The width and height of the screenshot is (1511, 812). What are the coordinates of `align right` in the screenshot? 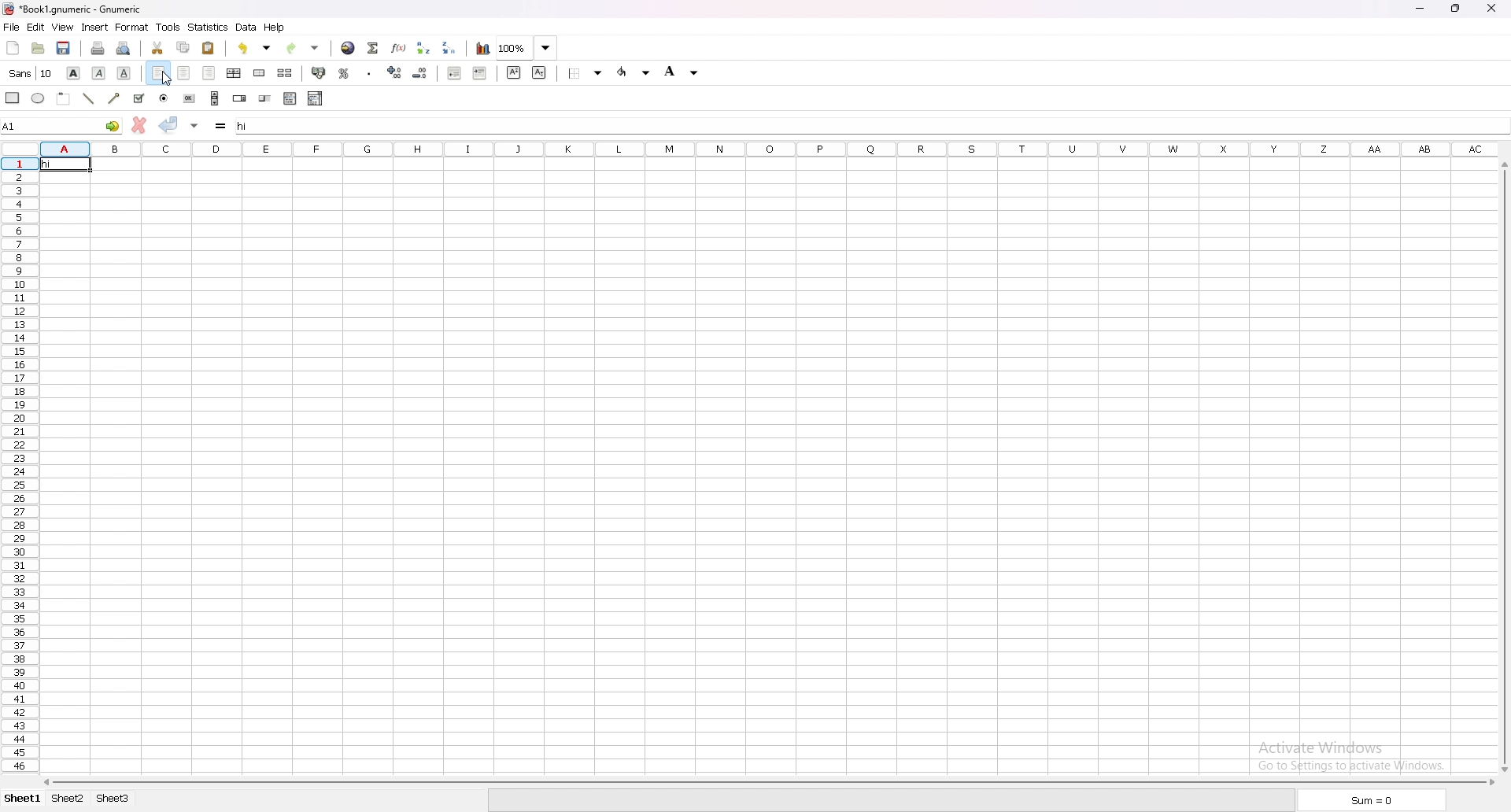 It's located at (210, 74).